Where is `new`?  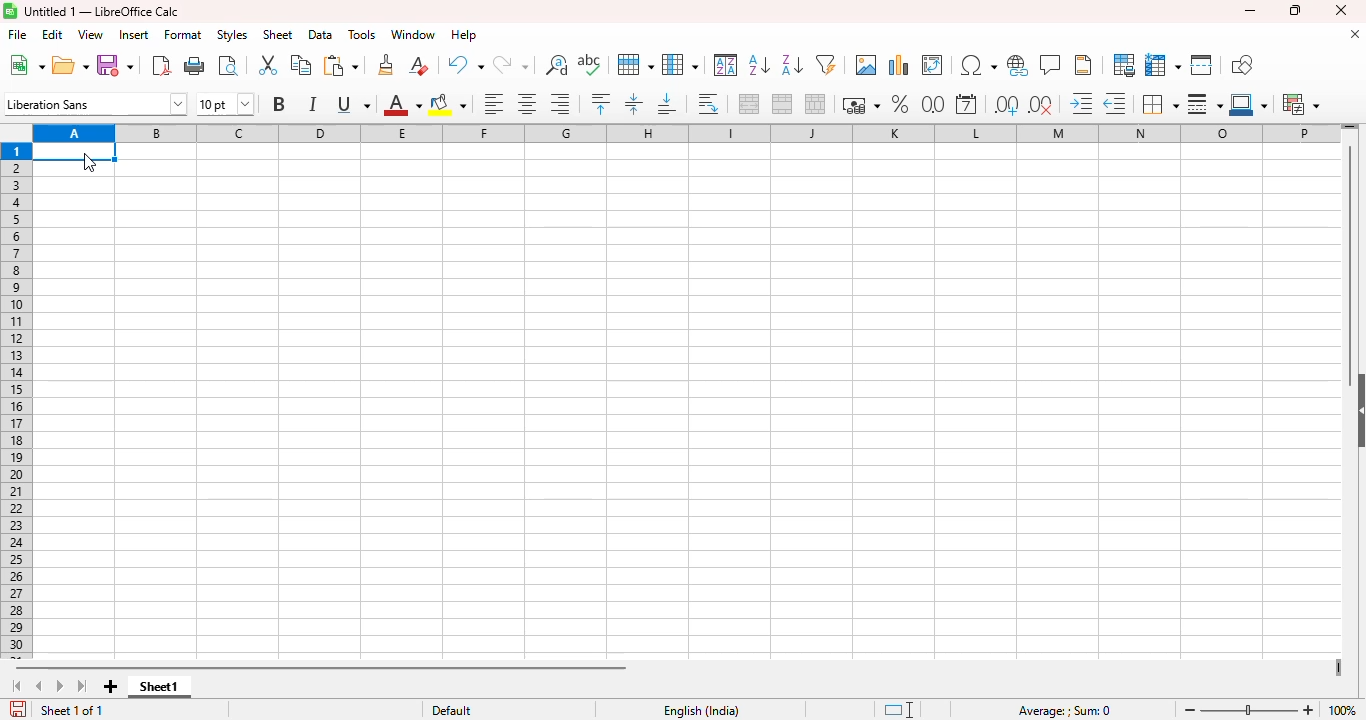 new is located at coordinates (26, 64).